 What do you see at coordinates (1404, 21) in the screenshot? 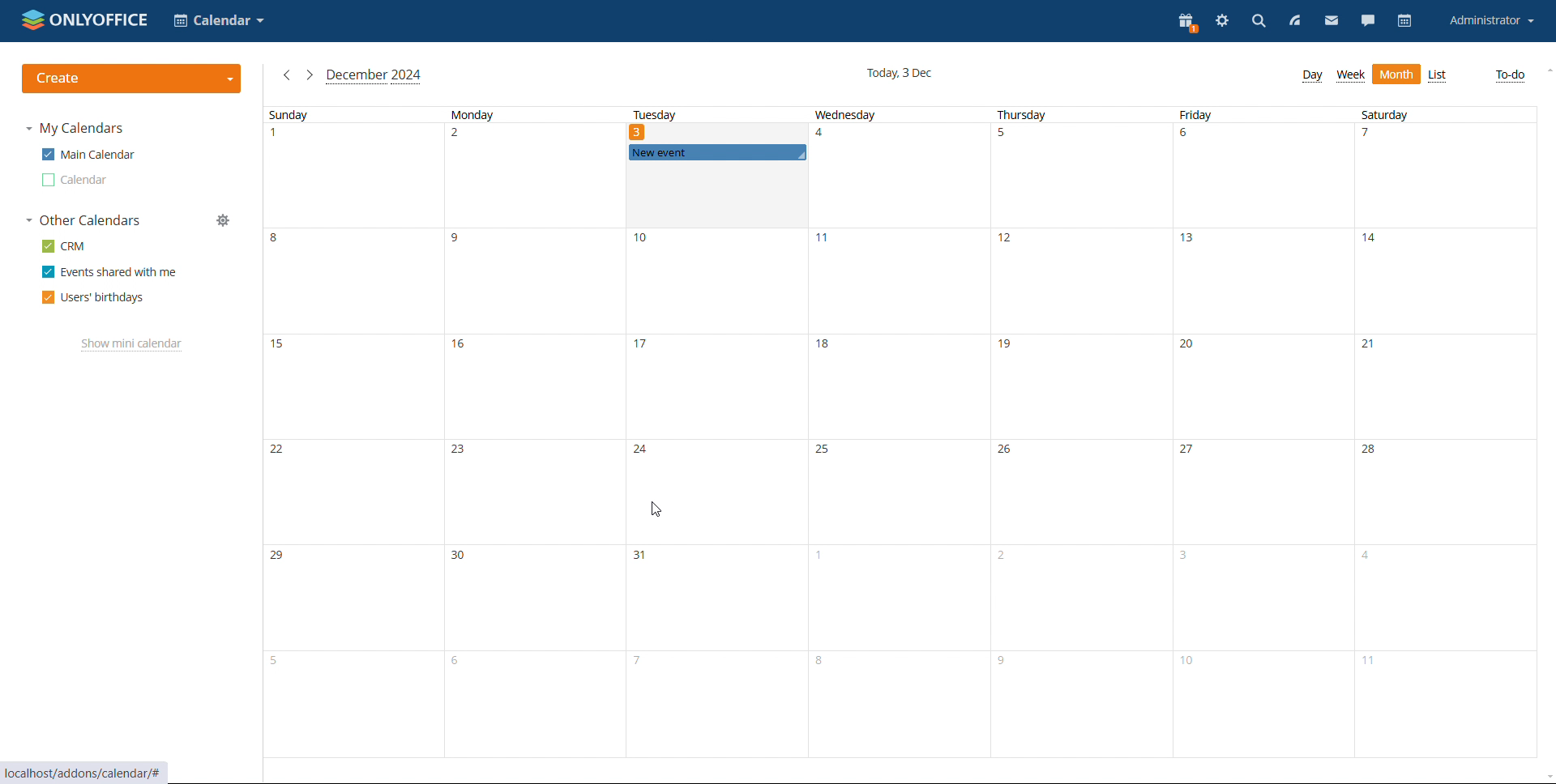
I see `calendar` at bounding box center [1404, 21].